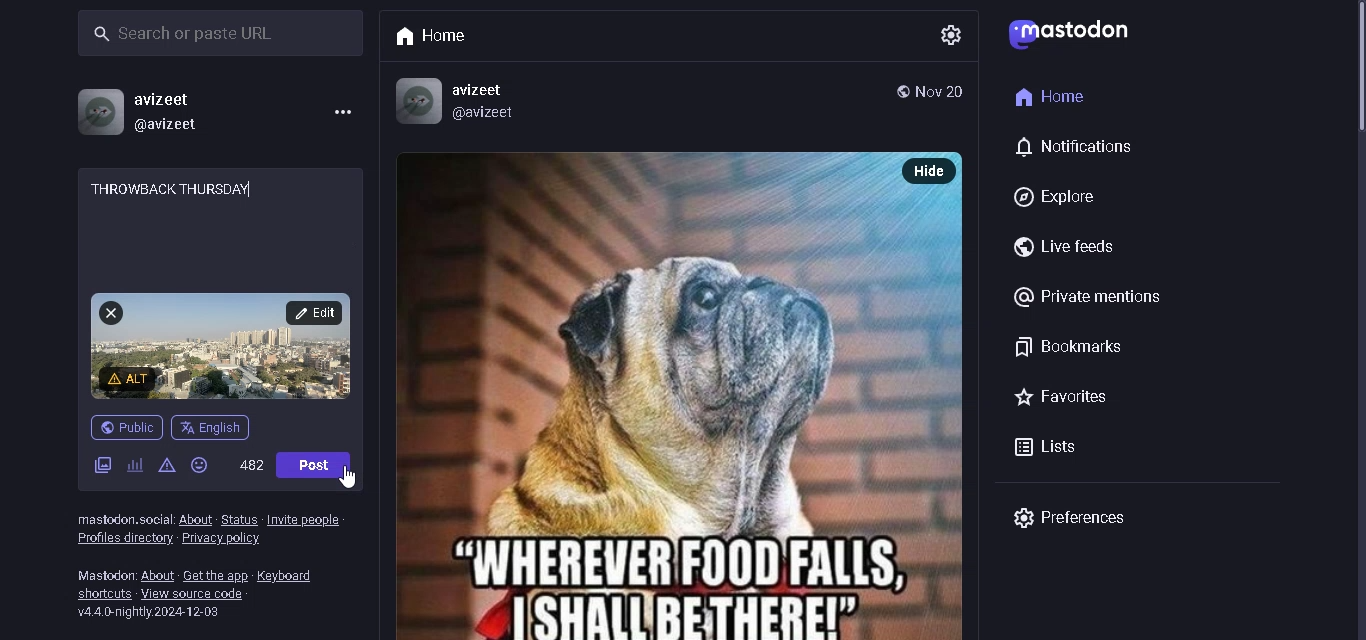 The width and height of the screenshot is (1366, 640). What do you see at coordinates (317, 466) in the screenshot?
I see `Post` at bounding box center [317, 466].